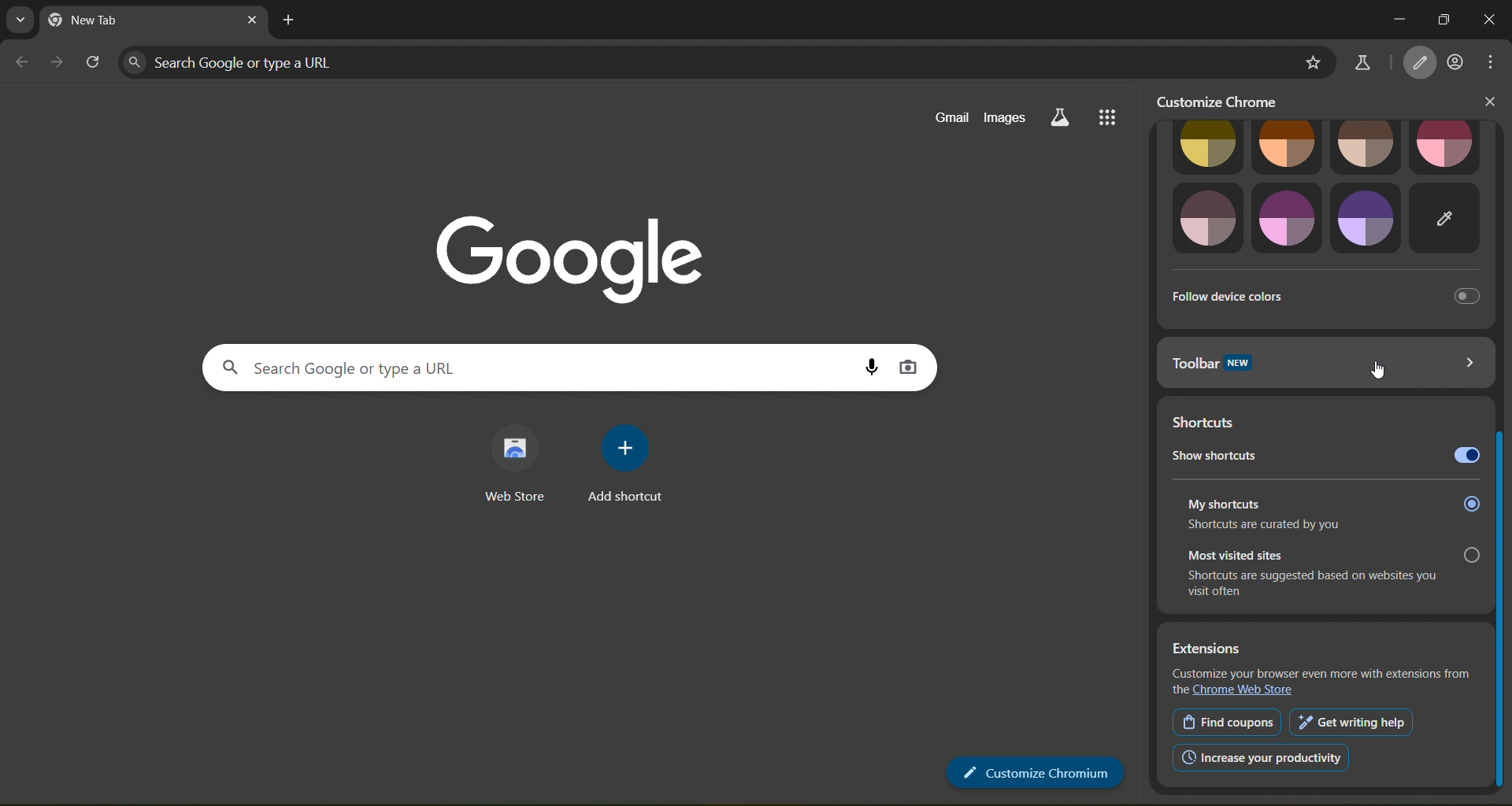 The width and height of the screenshot is (1512, 806). Describe the element at coordinates (1228, 102) in the screenshot. I see `customize chrome` at that location.